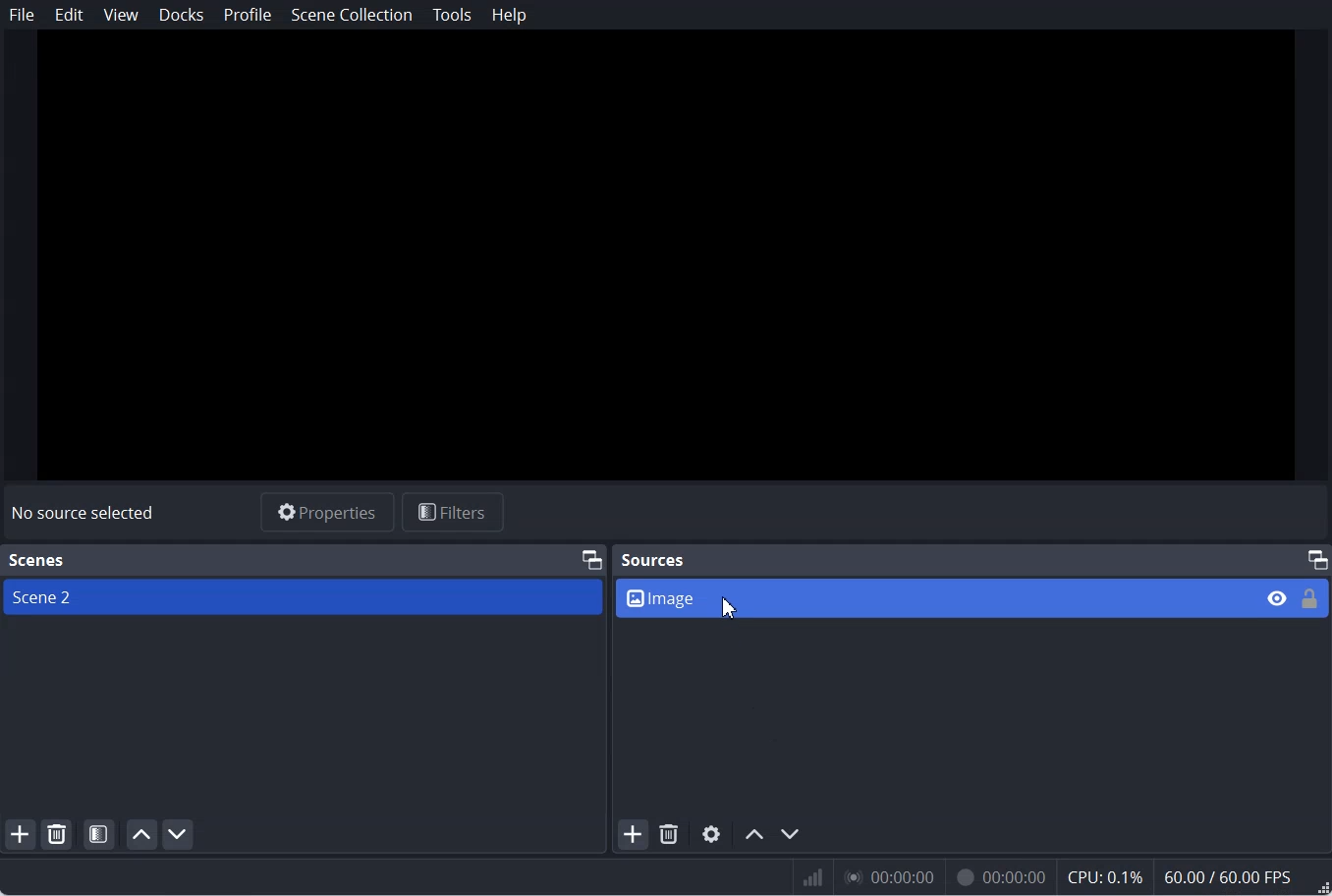 This screenshot has width=1332, height=896. I want to click on Add Source, so click(634, 833).